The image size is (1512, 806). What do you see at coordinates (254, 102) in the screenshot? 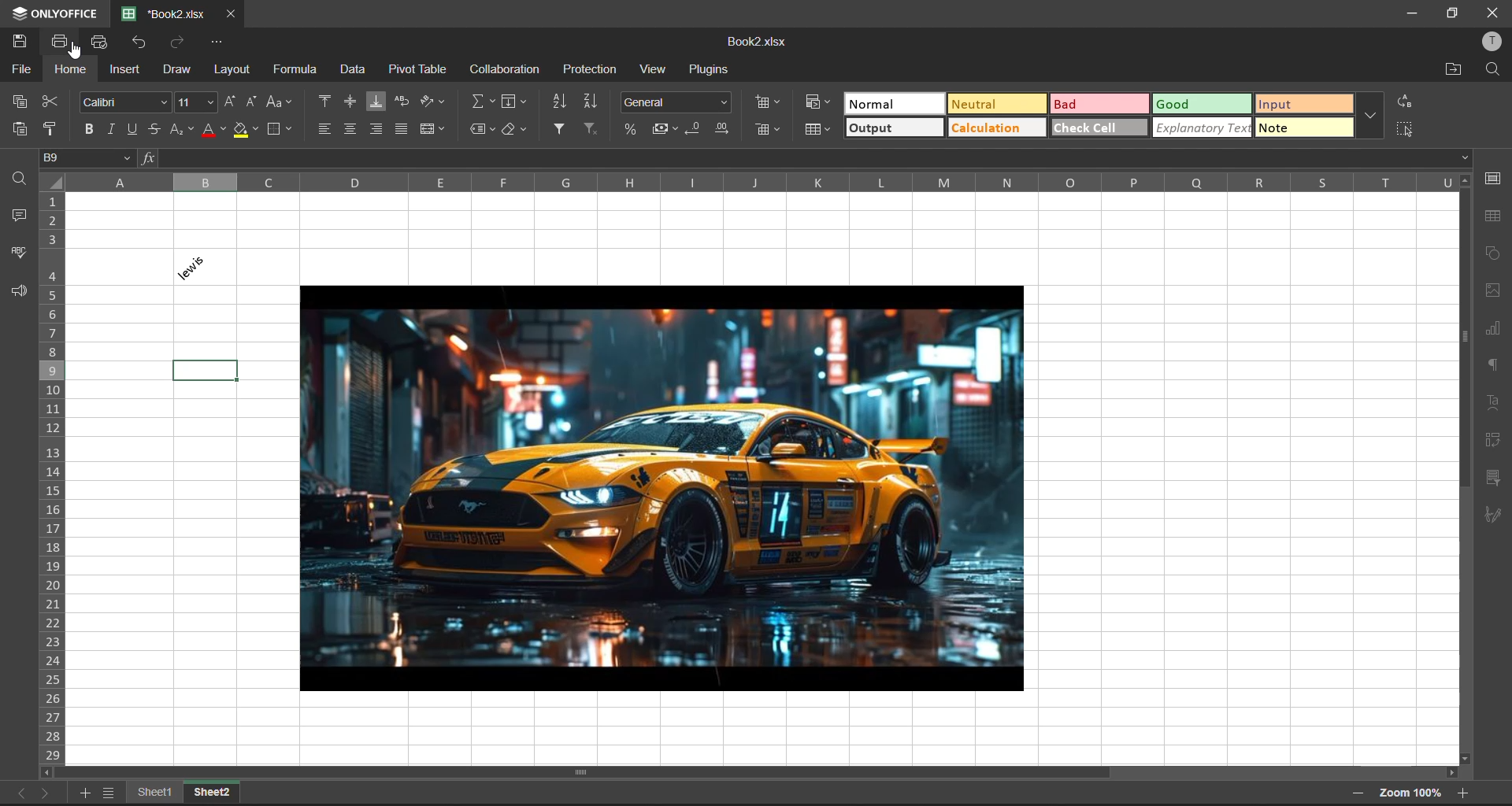
I see `decrement size` at bounding box center [254, 102].